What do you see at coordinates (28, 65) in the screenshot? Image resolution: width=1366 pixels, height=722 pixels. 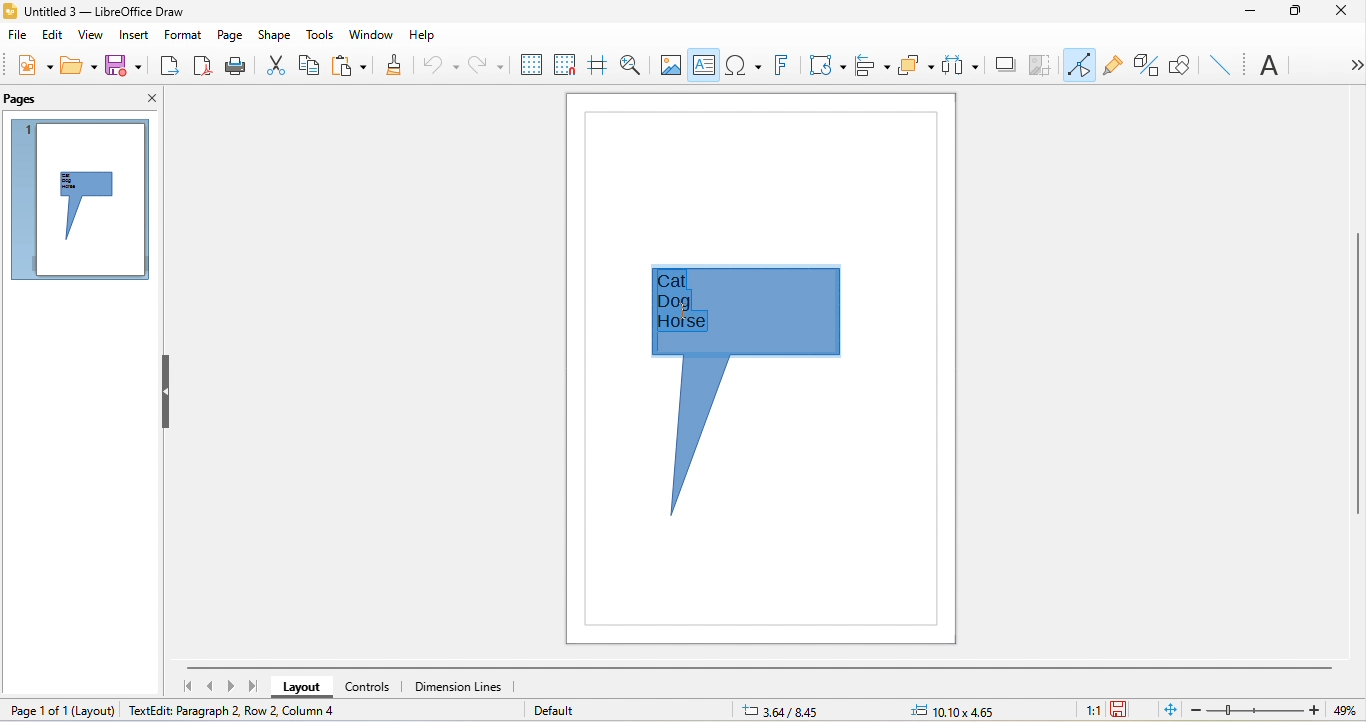 I see `new` at bounding box center [28, 65].